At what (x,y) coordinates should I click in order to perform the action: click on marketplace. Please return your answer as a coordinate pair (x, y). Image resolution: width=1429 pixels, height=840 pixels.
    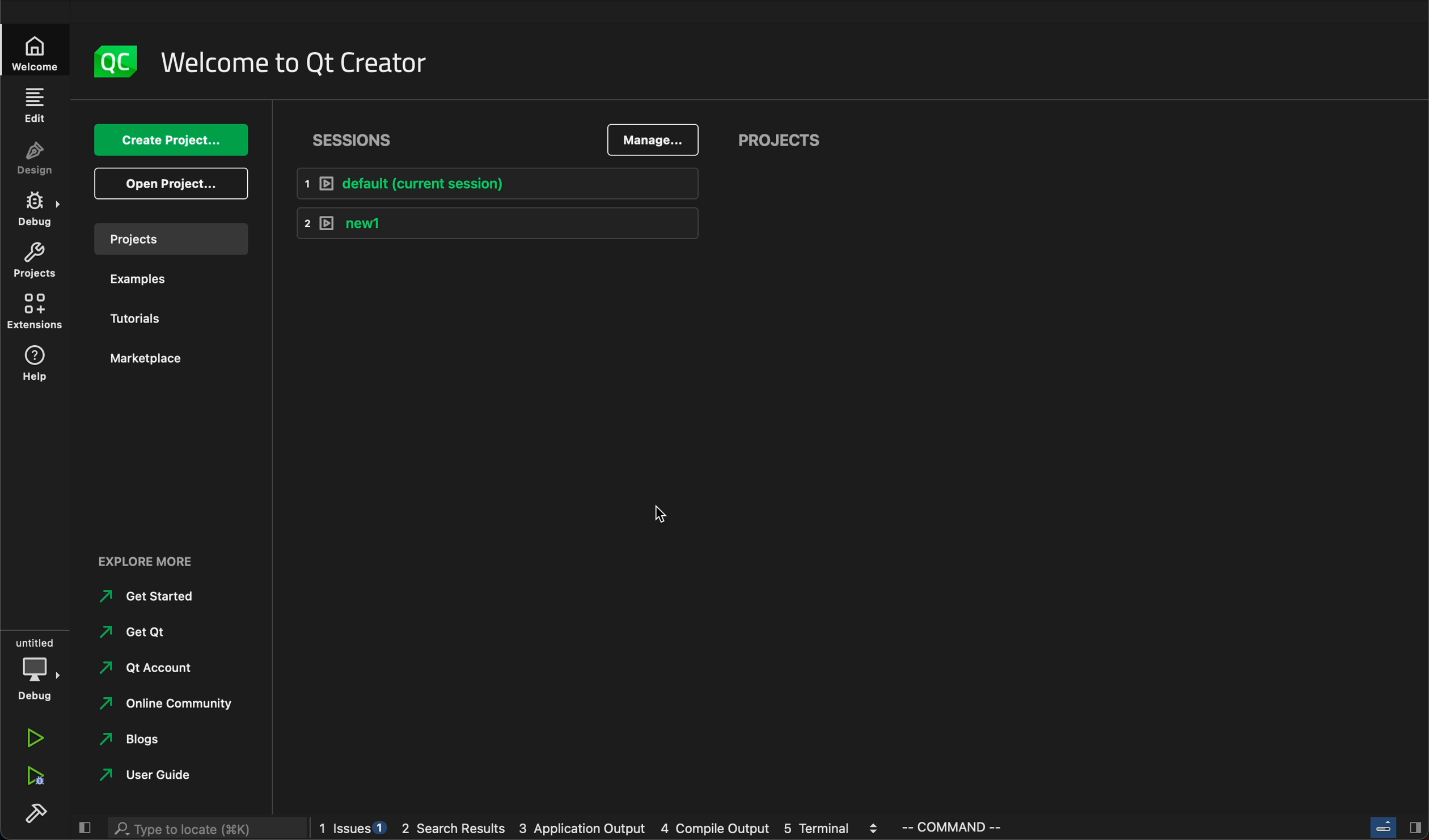
    Looking at the image, I should click on (146, 360).